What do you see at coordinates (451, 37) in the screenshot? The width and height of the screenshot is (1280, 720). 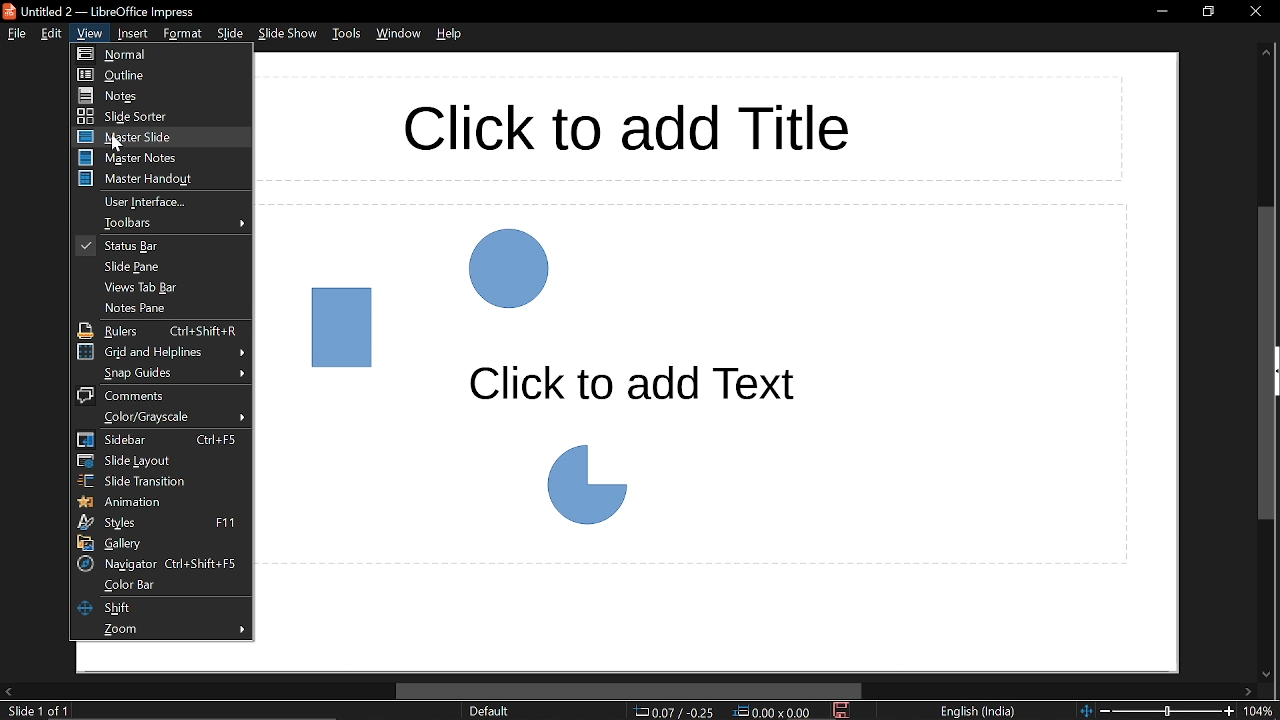 I see `Help` at bounding box center [451, 37].